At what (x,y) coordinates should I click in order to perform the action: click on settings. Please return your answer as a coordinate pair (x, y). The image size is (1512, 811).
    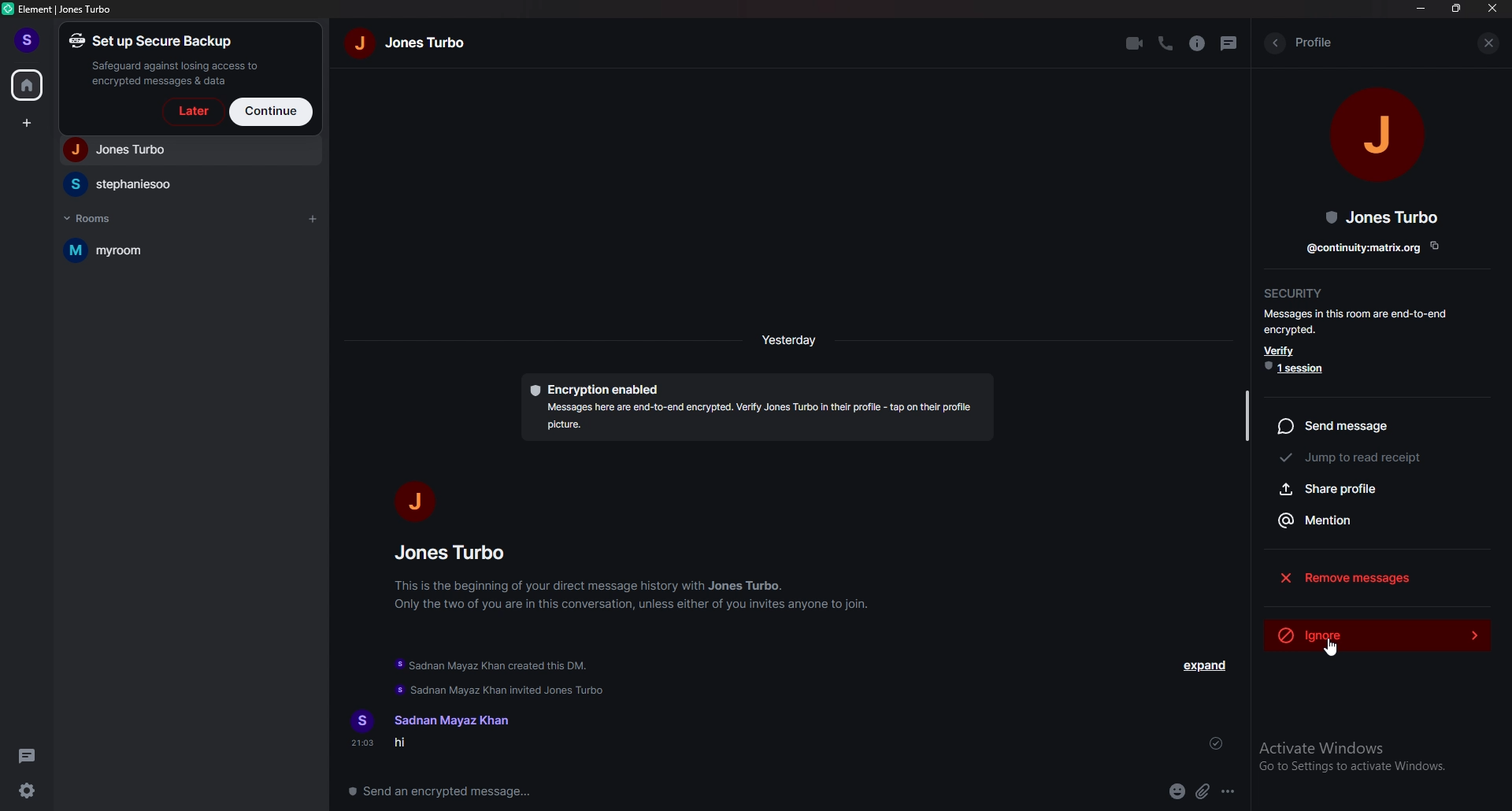
    Looking at the image, I should click on (29, 791).